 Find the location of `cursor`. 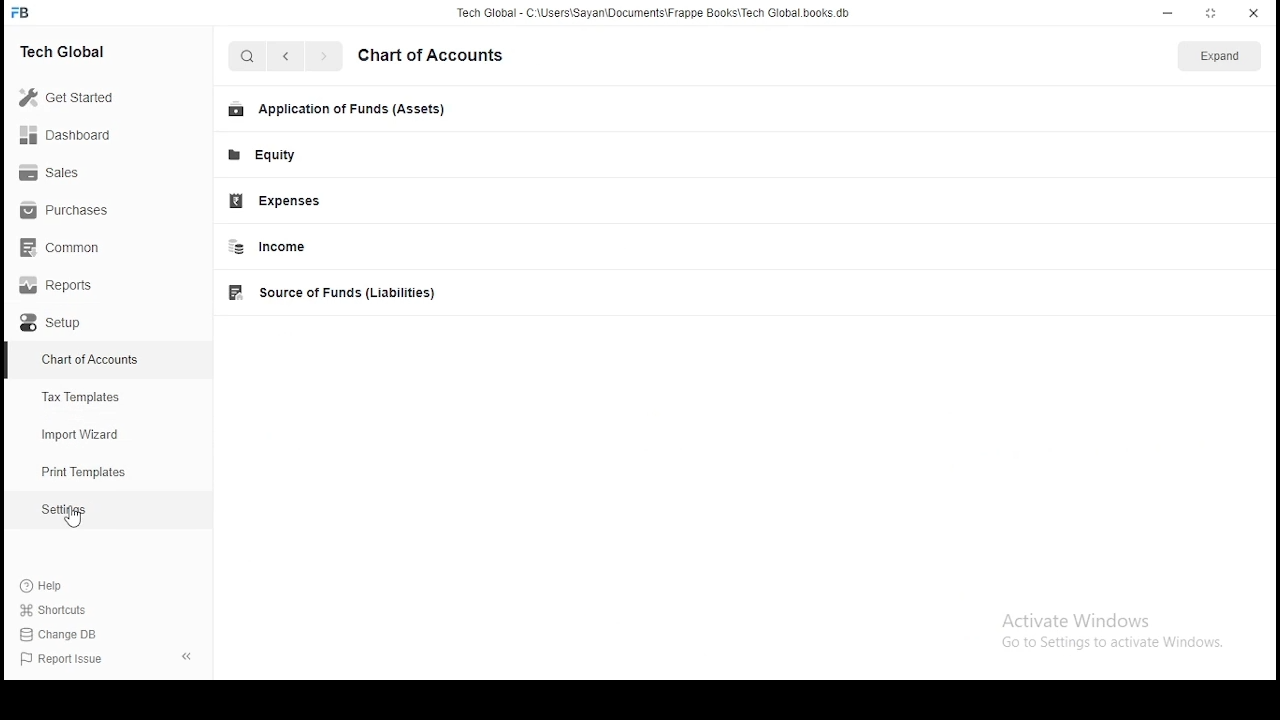

cursor is located at coordinates (74, 522).